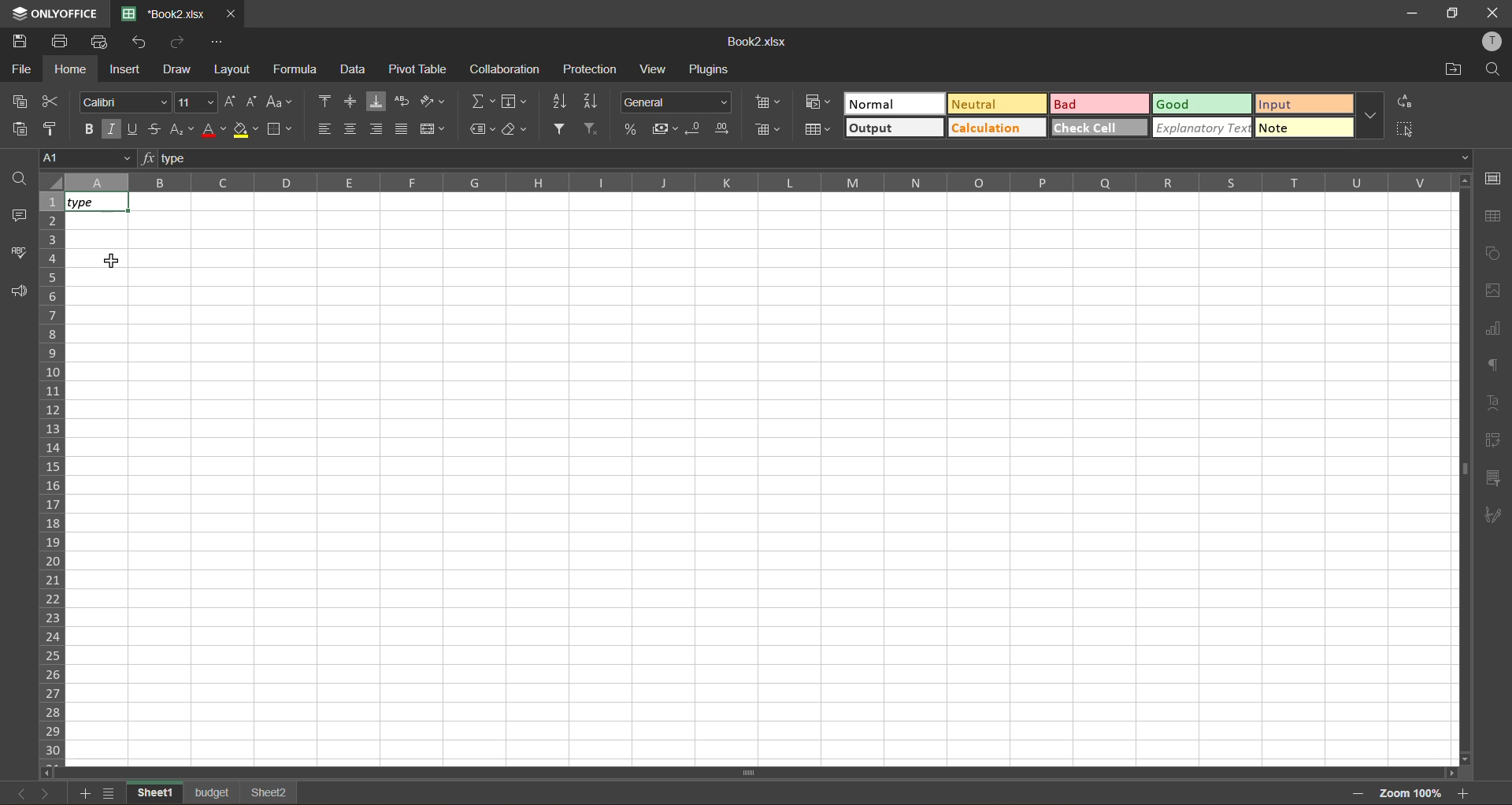 This screenshot has height=805, width=1512. I want to click on font size, so click(194, 103).